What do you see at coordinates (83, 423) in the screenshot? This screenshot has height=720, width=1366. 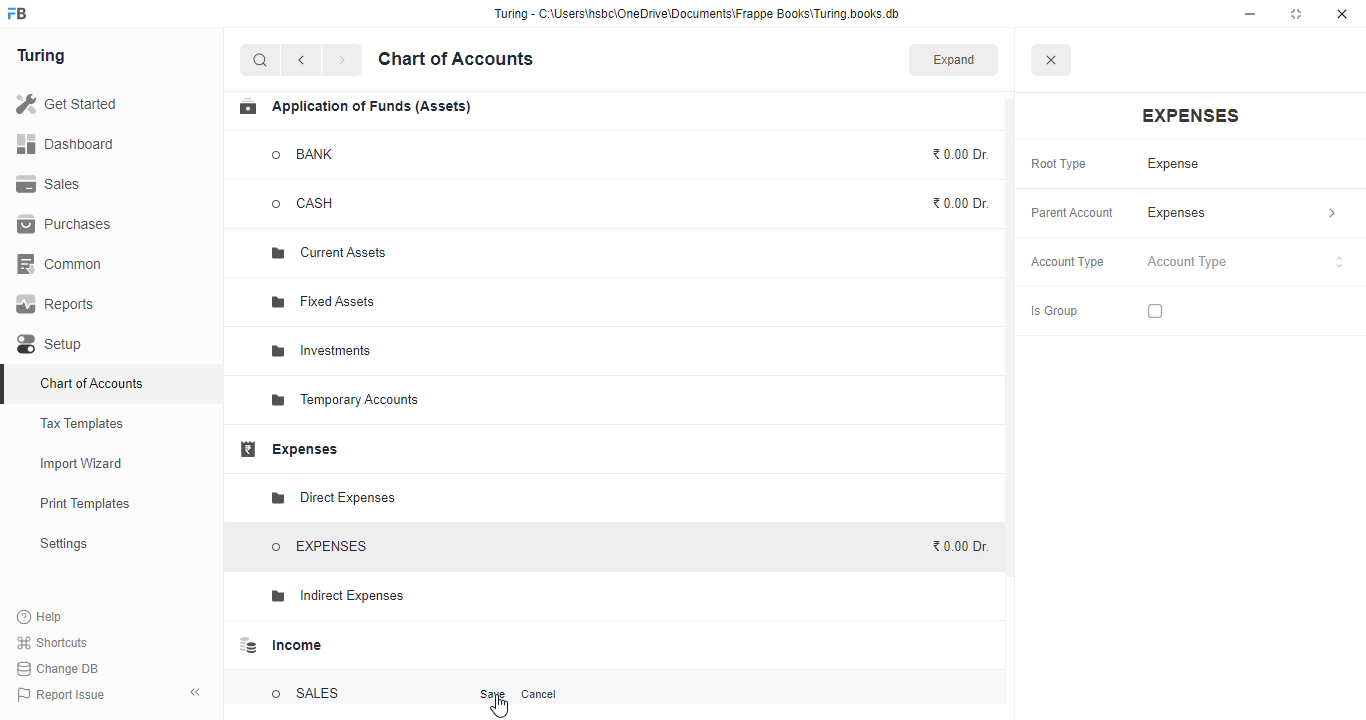 I see `tax templates` at bounding box center [83, 423].